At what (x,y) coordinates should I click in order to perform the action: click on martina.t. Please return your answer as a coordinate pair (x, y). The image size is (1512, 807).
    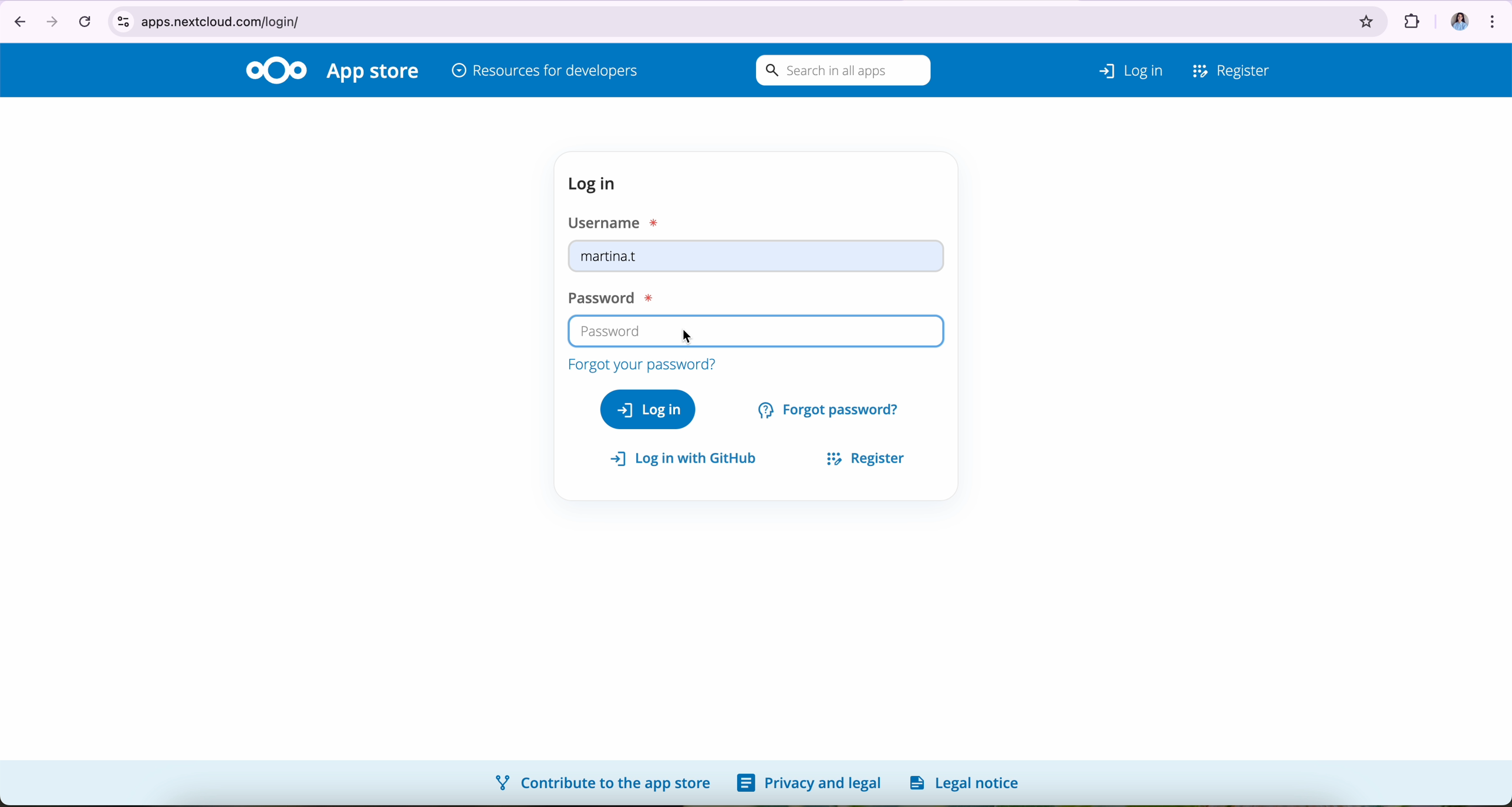
    Looking at the image, I should click on (757, 259).